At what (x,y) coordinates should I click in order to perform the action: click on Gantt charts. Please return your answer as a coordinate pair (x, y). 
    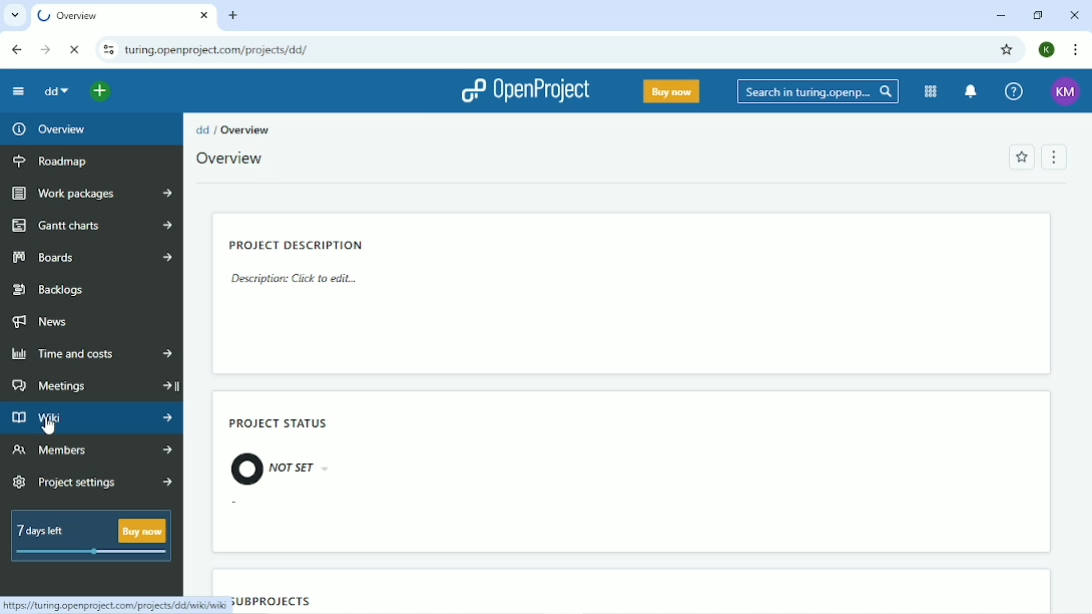
    Looking at the image, I should click on (68, 226).